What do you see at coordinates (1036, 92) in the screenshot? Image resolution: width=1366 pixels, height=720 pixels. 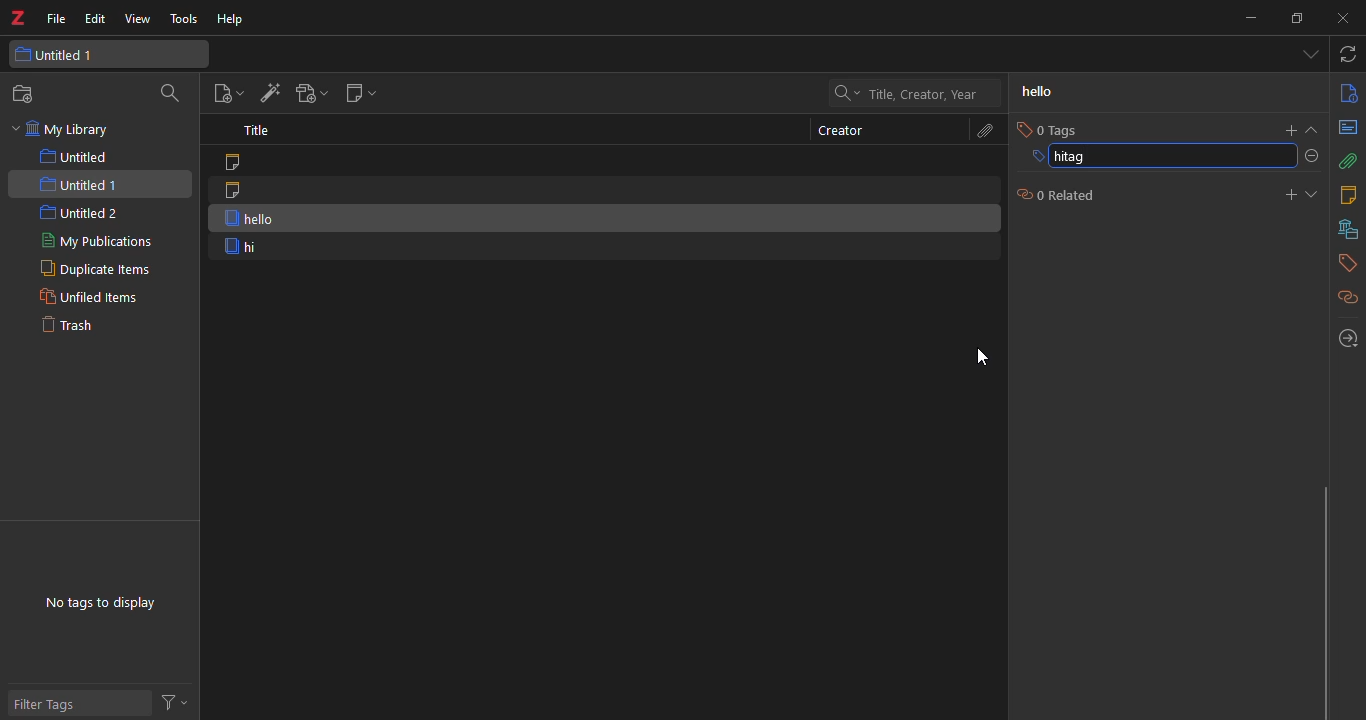 I see `hello` at bounding box center [1036, 92].